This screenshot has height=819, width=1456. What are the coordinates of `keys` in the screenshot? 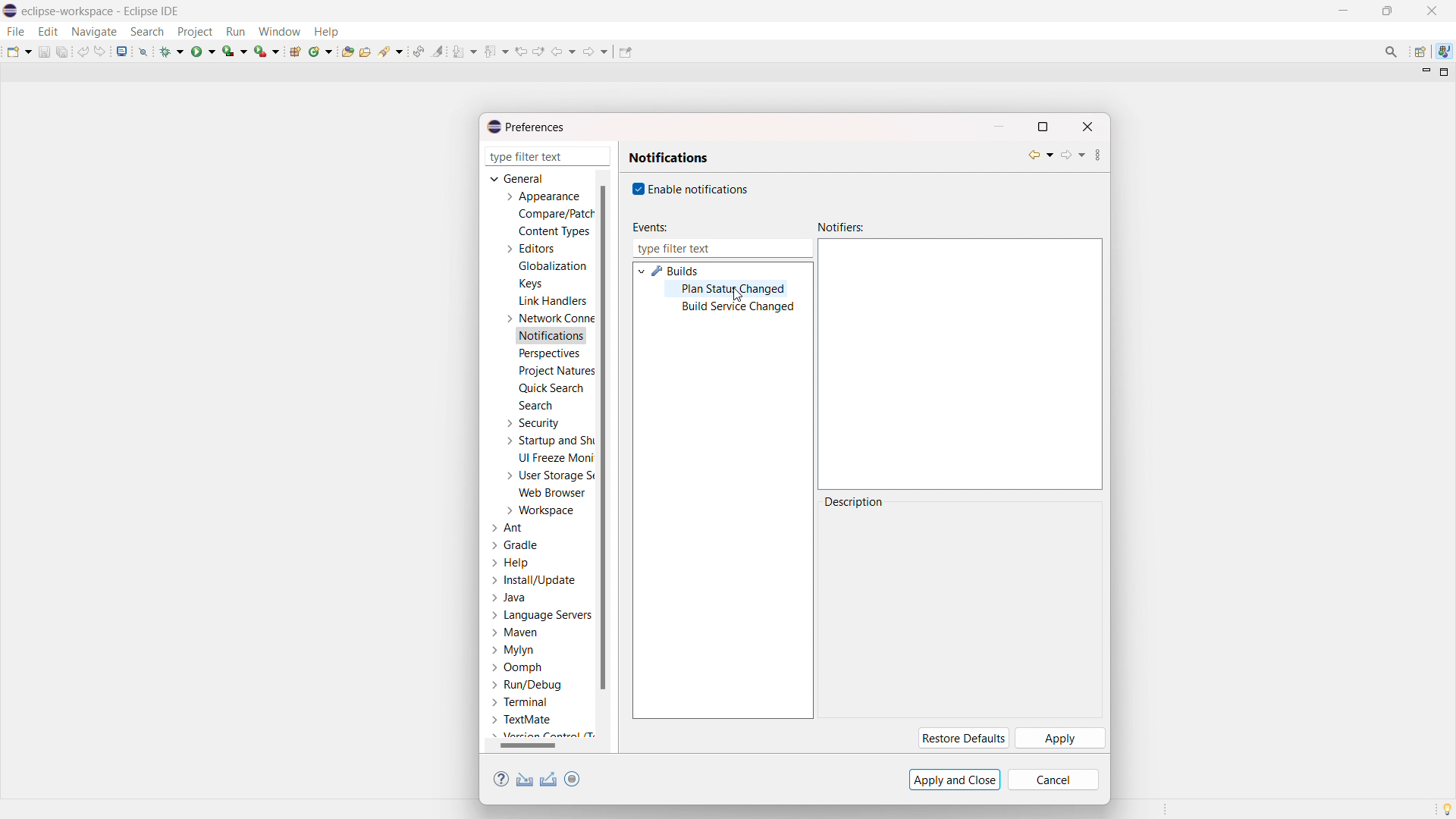 It's located at (530, 283).